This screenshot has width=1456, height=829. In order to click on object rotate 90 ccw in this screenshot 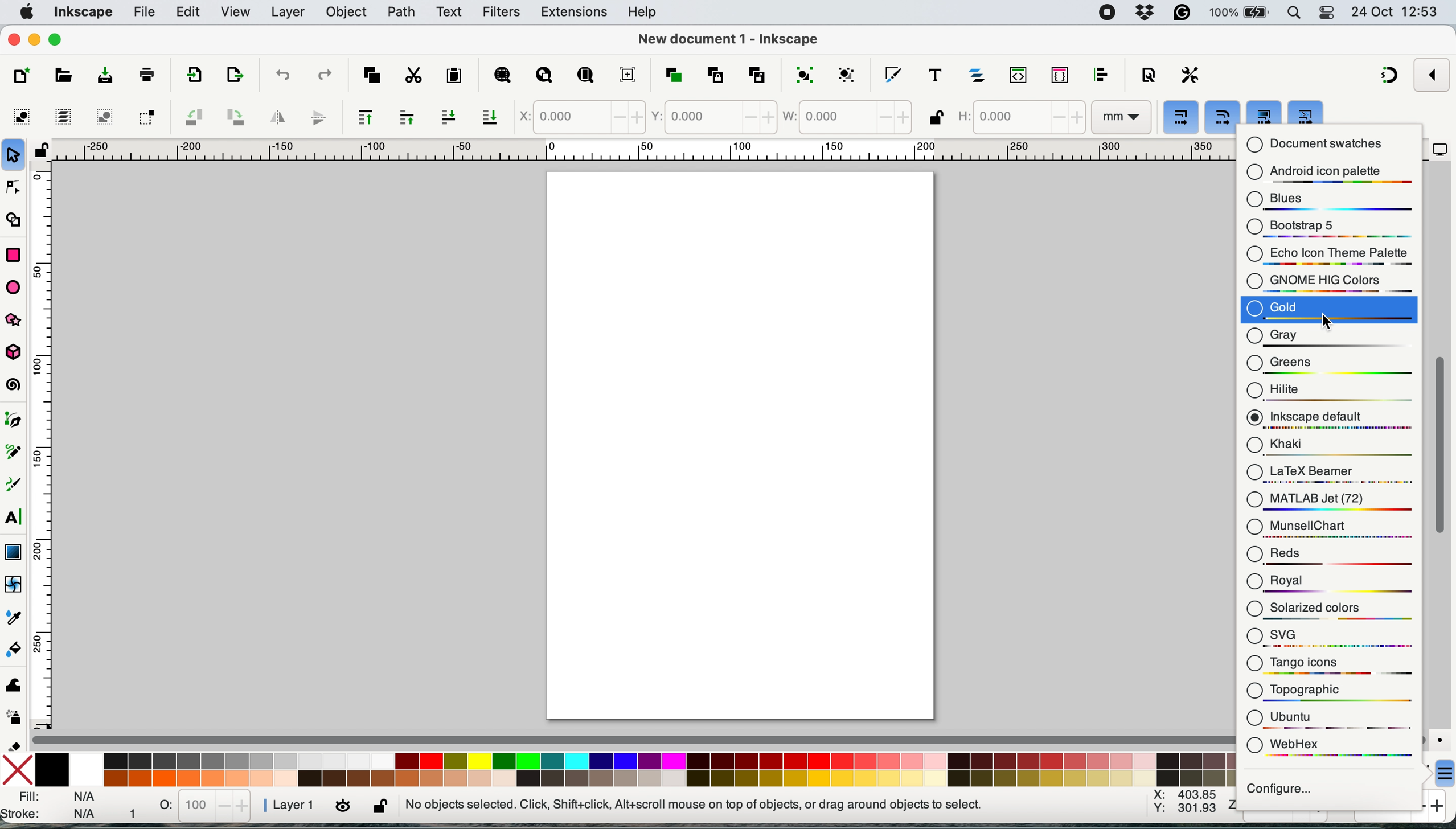, I will do `click(191, 116)`.